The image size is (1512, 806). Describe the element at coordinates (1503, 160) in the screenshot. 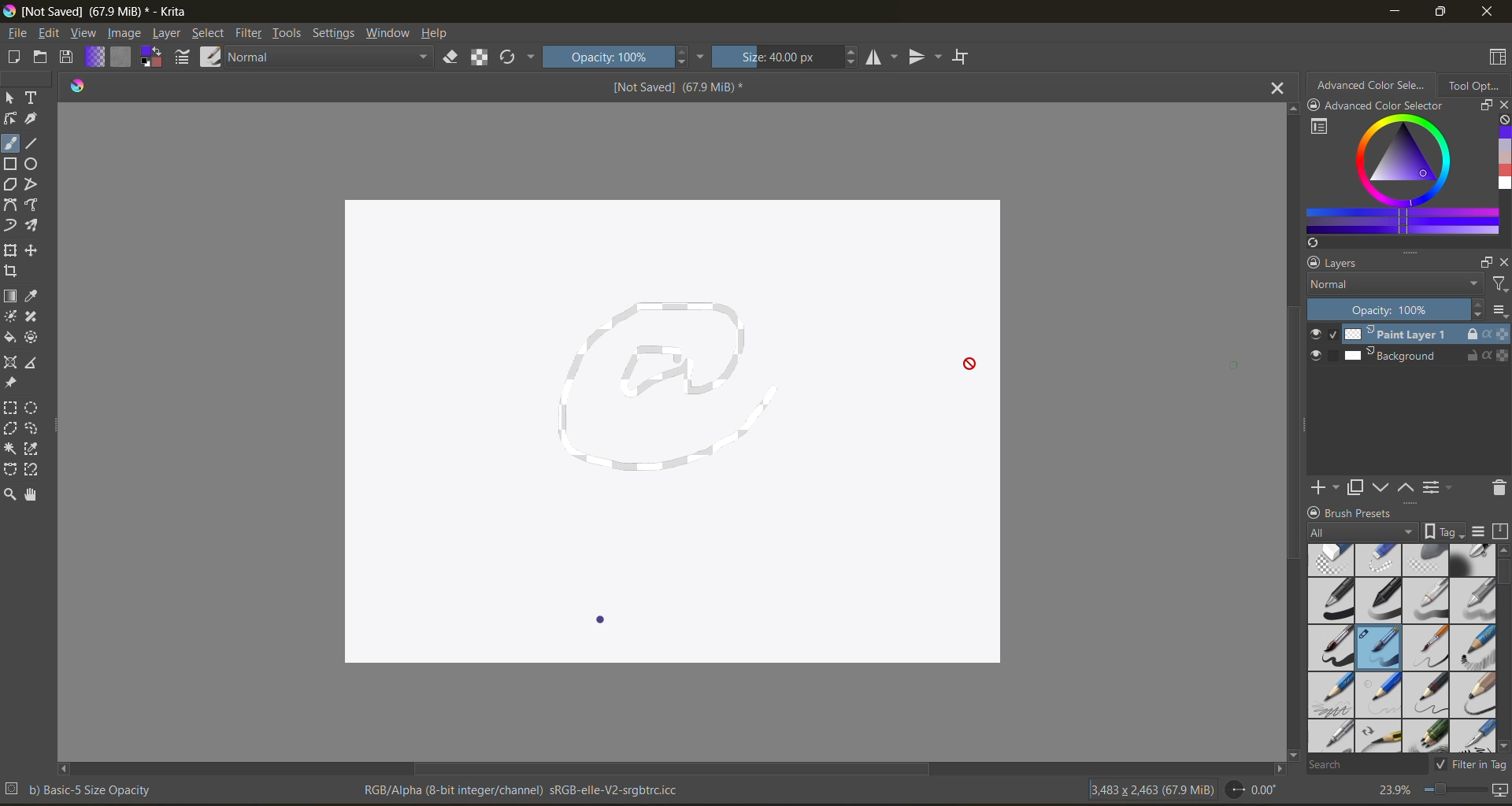

I see `colors` at that location.